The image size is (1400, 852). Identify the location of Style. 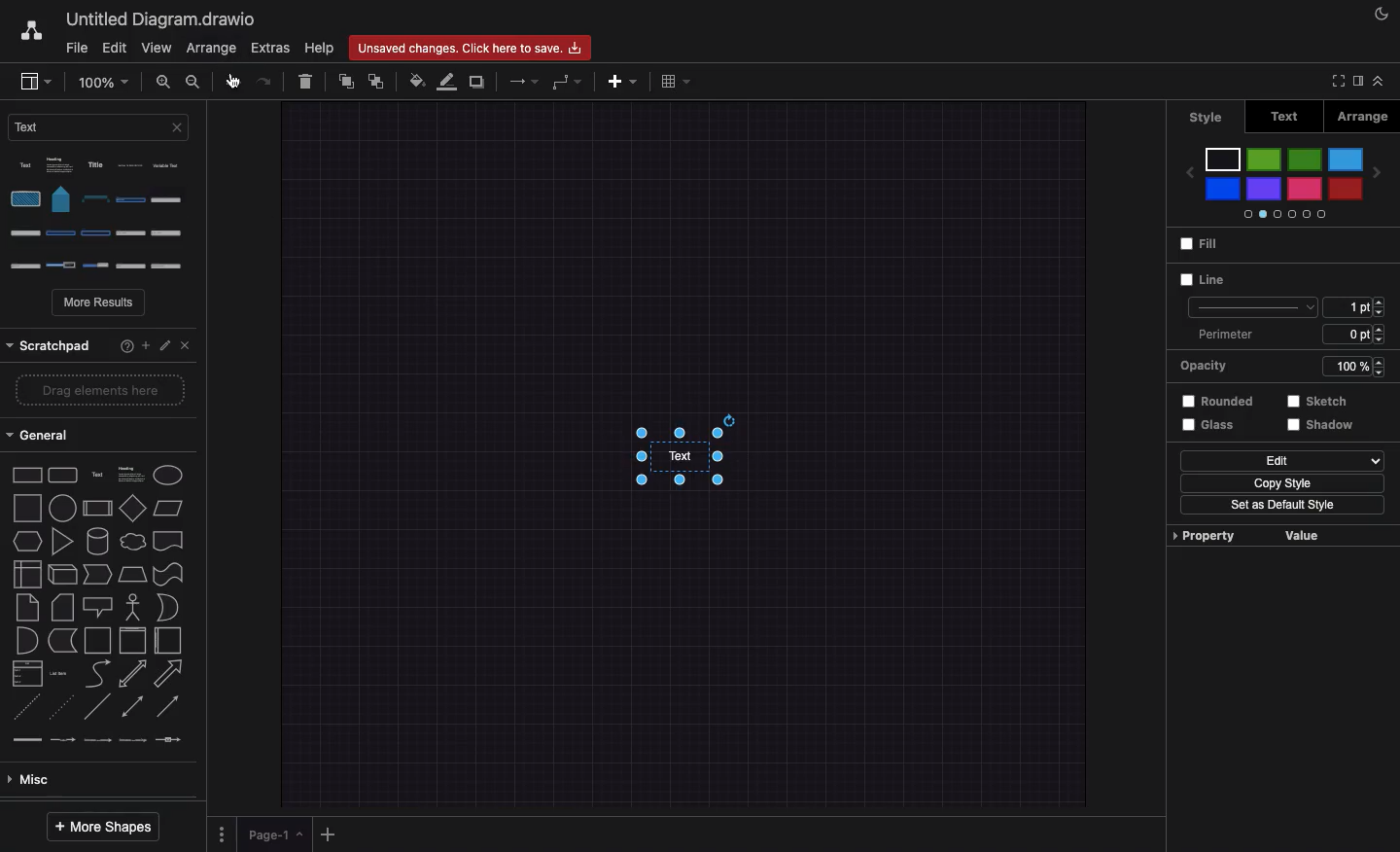
(1250, 308).